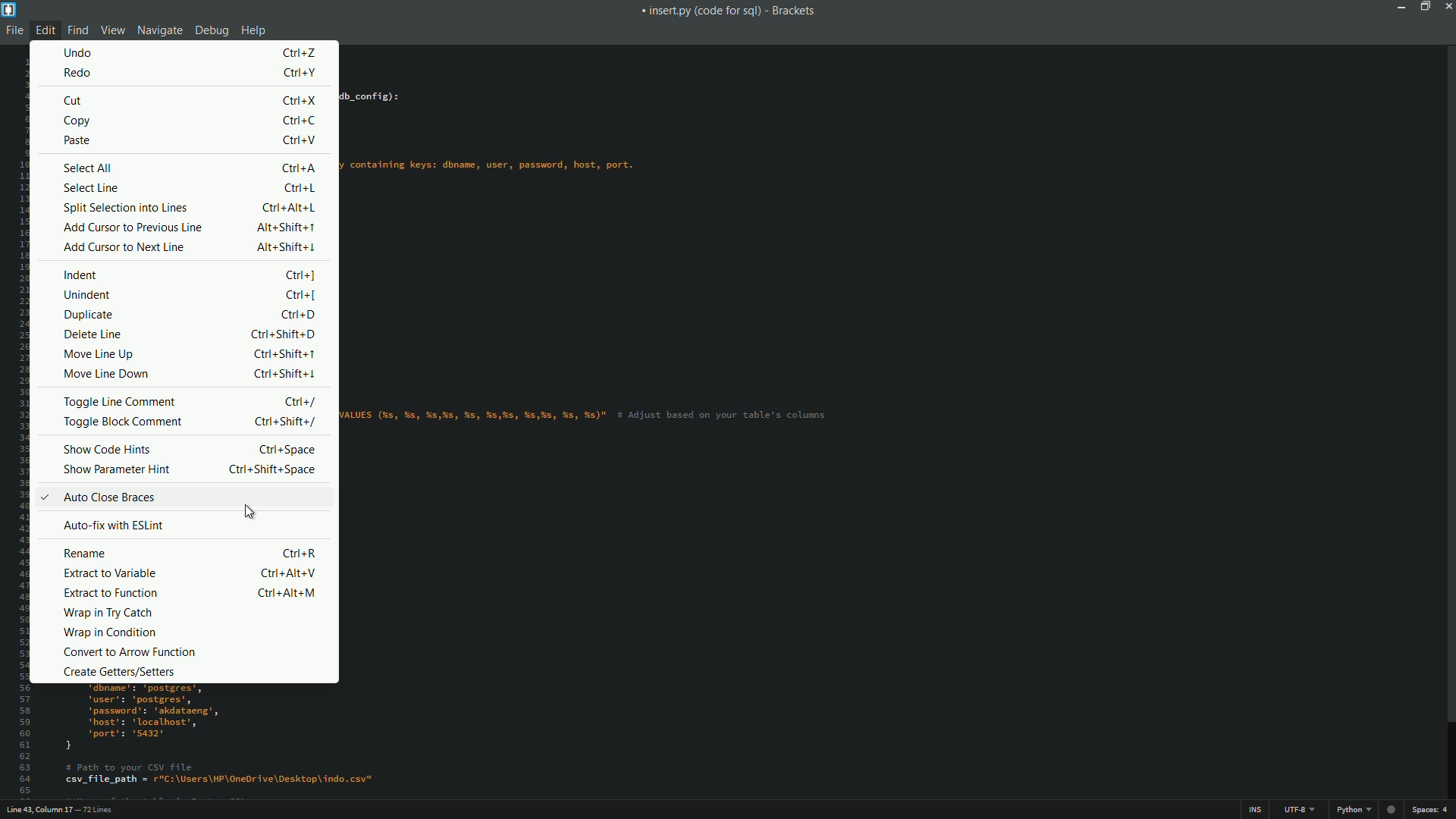 The width and height of the screenshot is (1456, 819). Describe the element at coordinates (301, 168) in the screenshot. I see `keyboard shortcut` at that location.